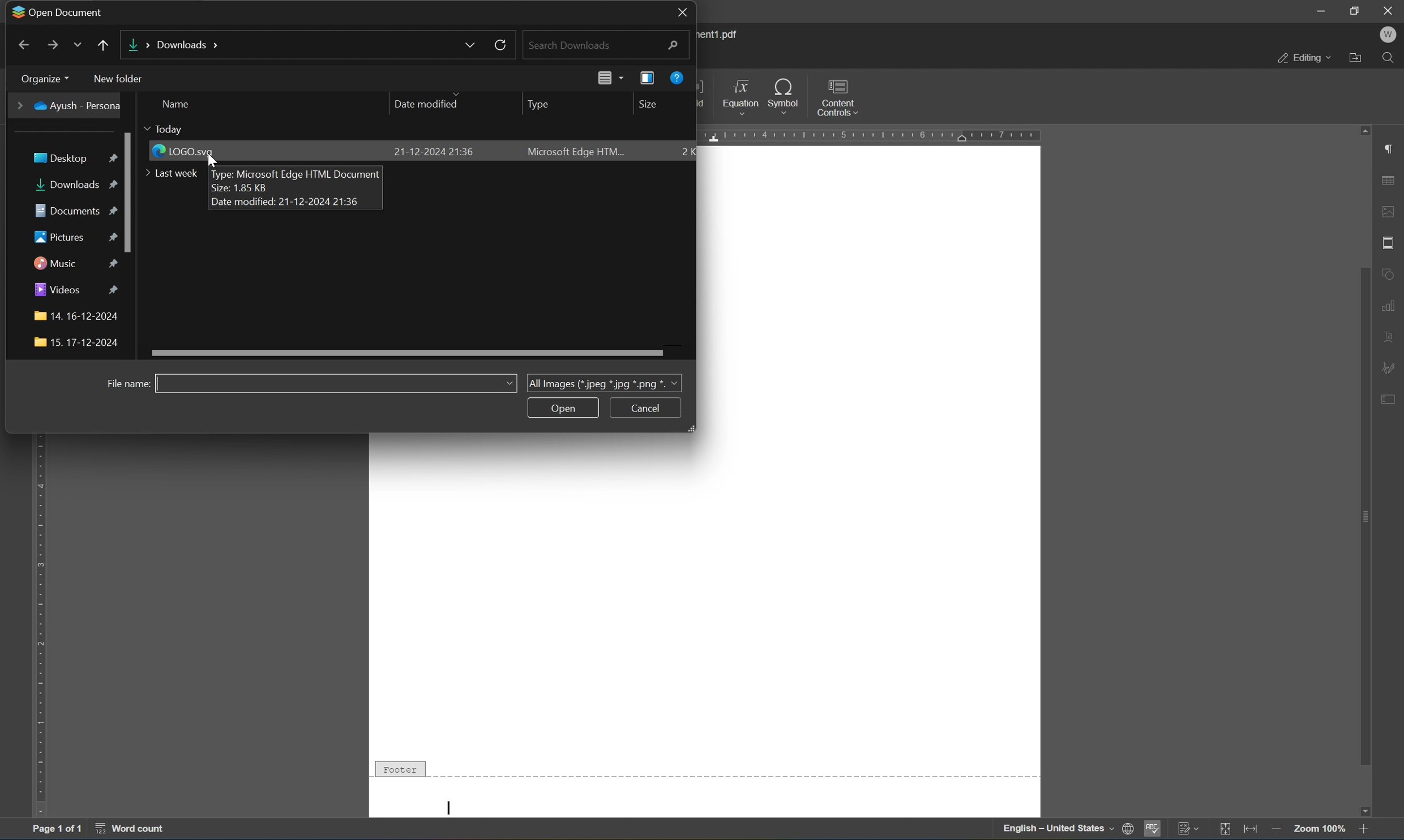  Describe the element at coordinates (1361, 380) in the screenshot. I see `scroll bar` at that location.